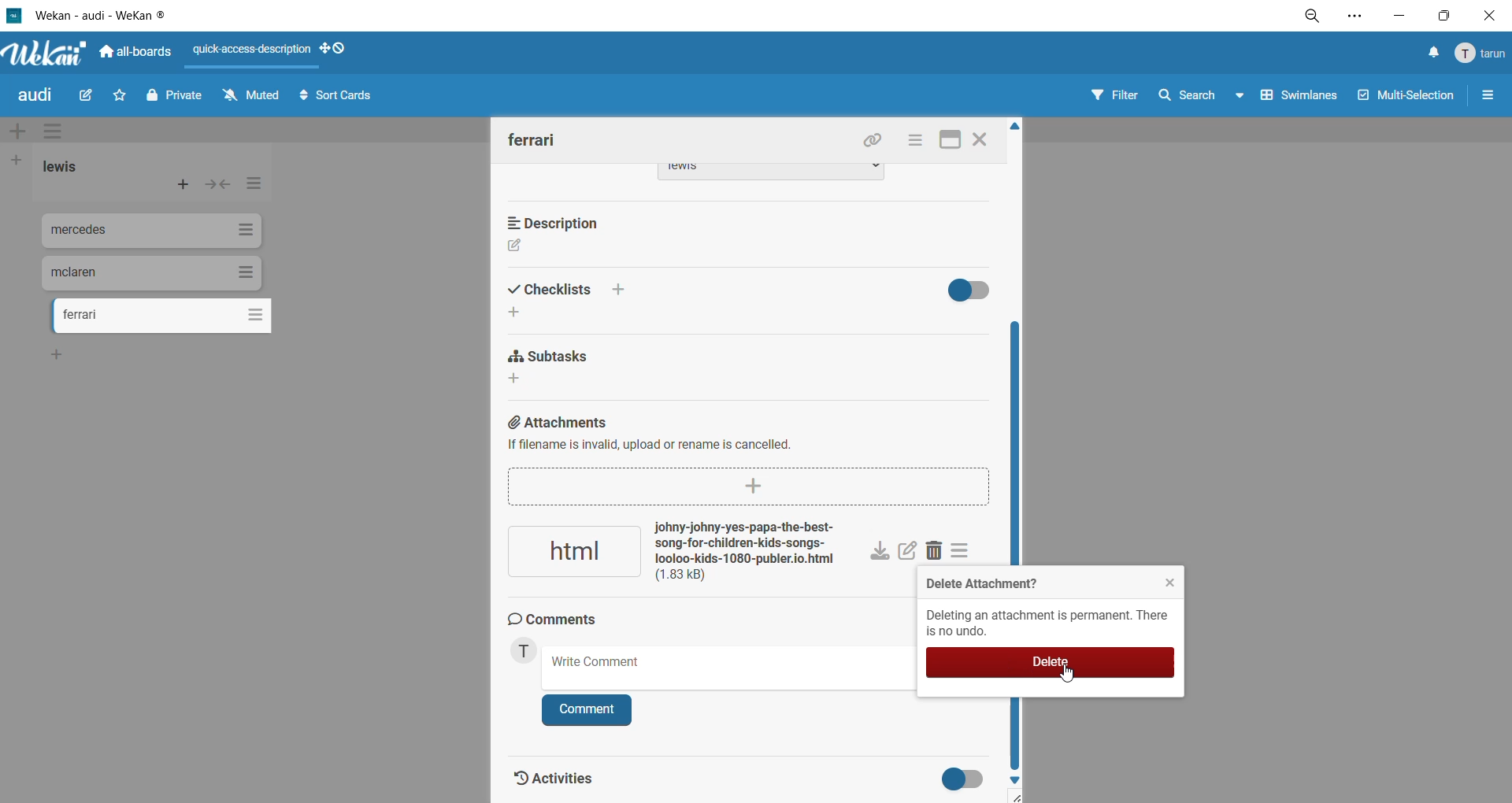  Describe the element at coordinates (533, 139) in the screenshot. I see `card title` at that location.